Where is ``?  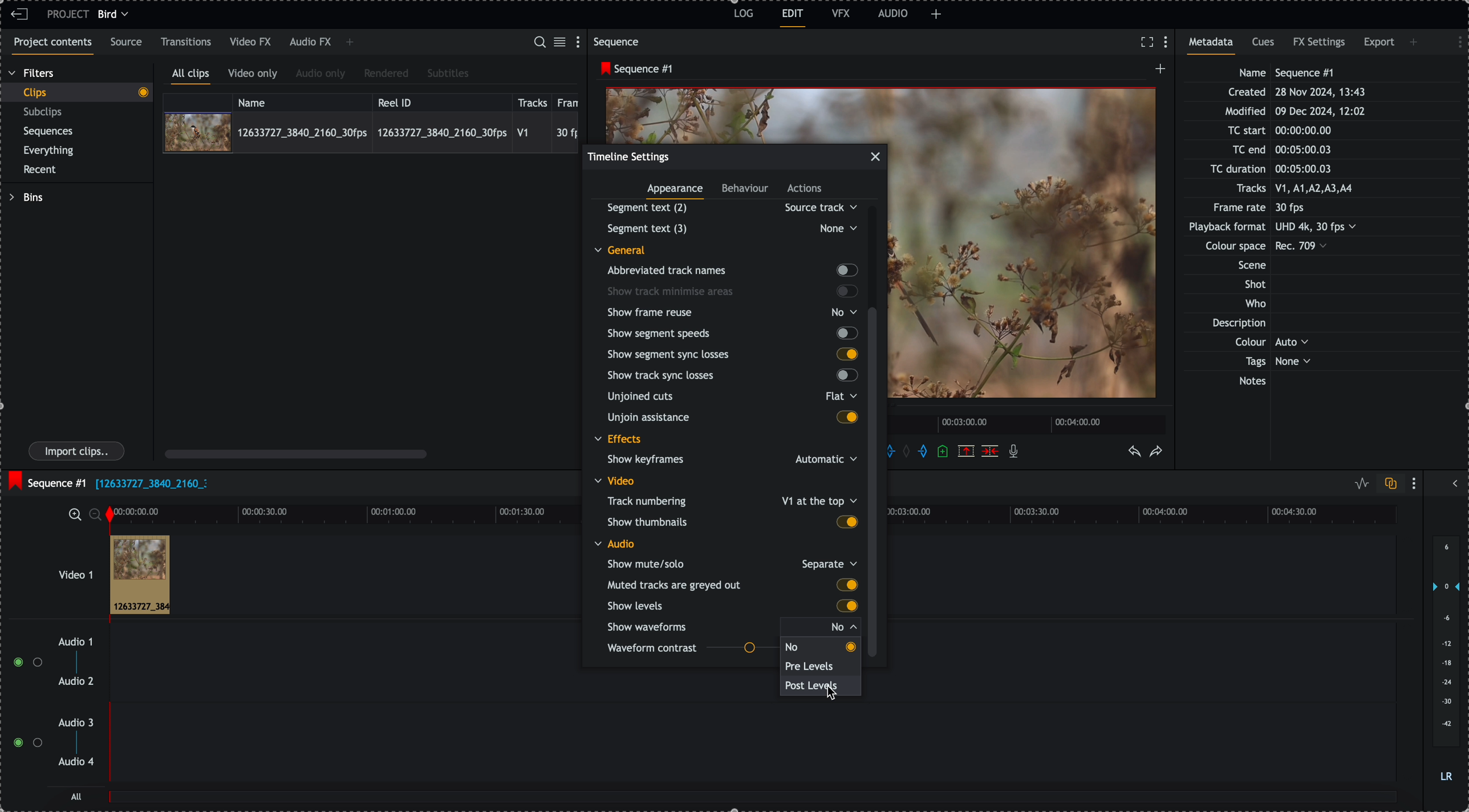  is located at coordinates (47, 152).